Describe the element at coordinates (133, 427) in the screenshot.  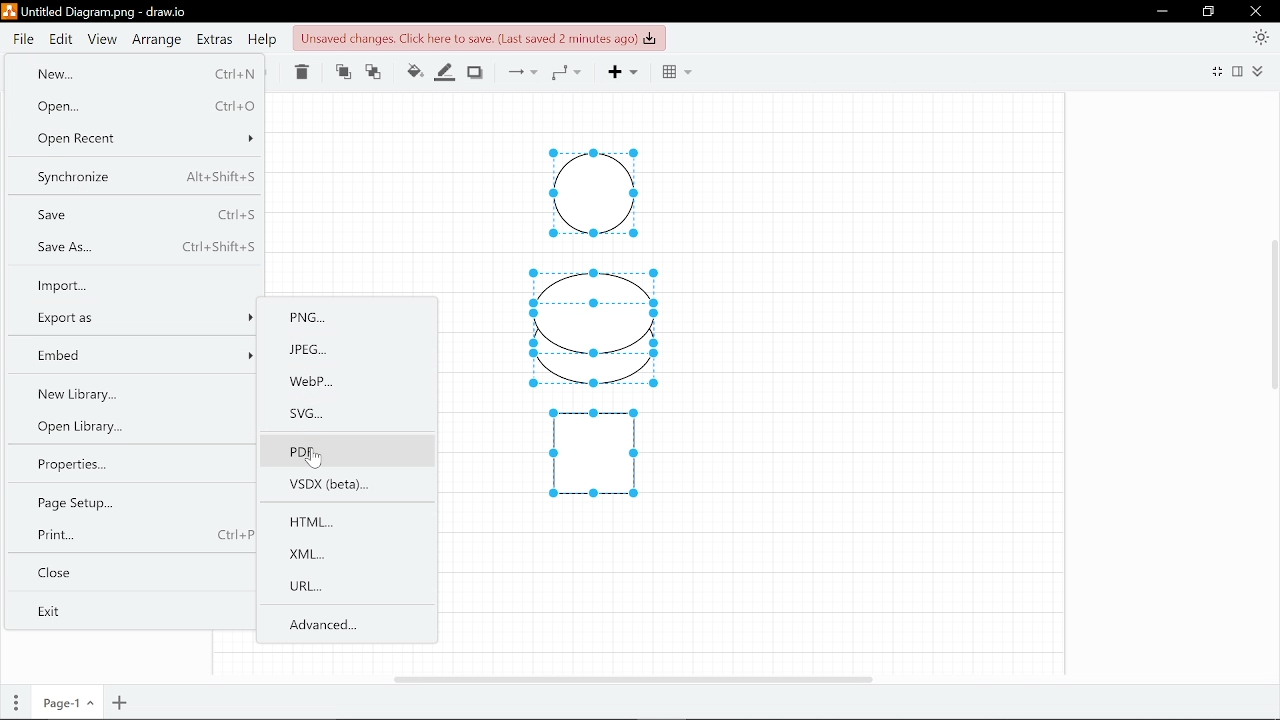
I see `Open library` at that location.